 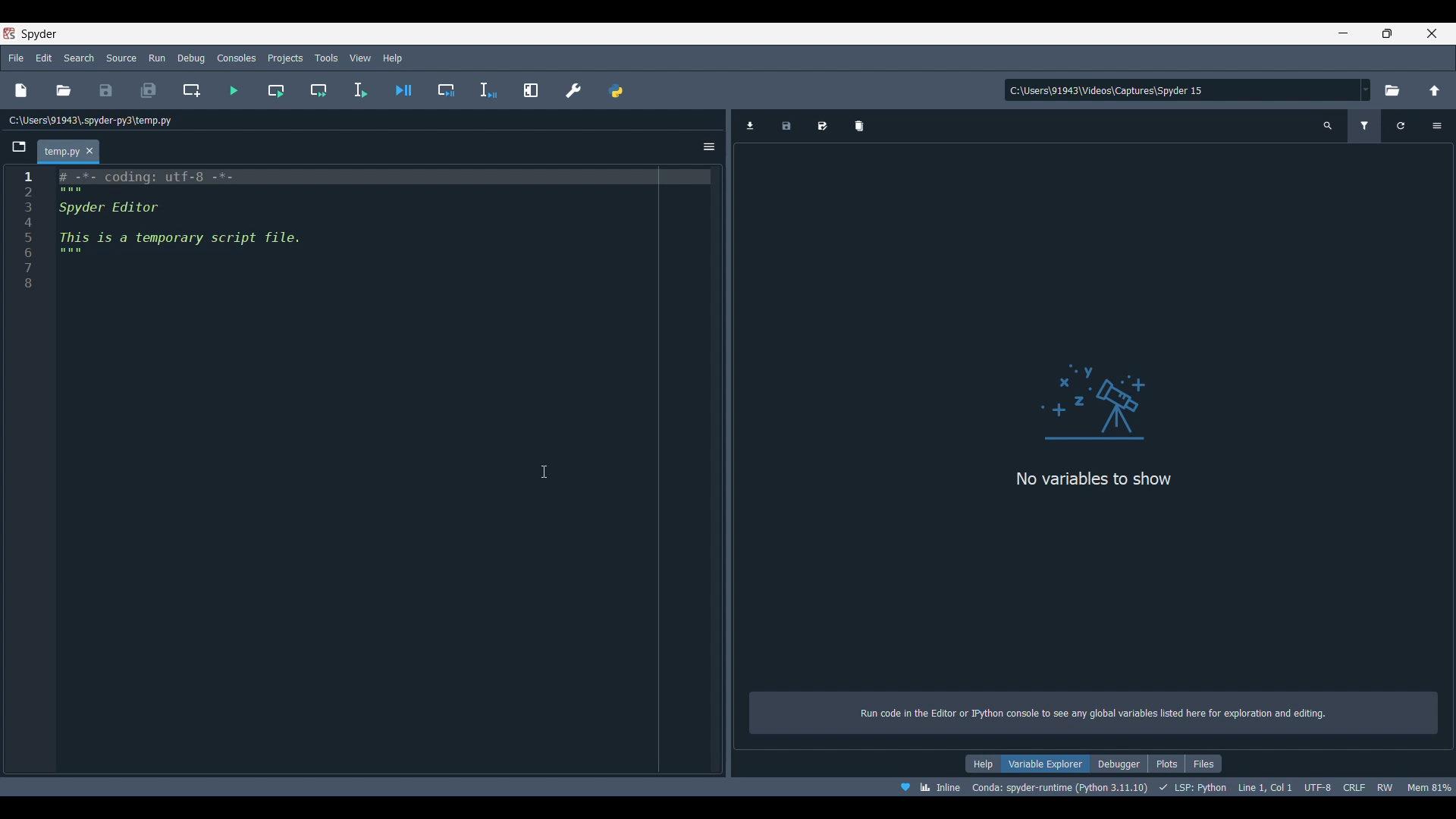 I want to click on File location, so click(x=93, y=121).